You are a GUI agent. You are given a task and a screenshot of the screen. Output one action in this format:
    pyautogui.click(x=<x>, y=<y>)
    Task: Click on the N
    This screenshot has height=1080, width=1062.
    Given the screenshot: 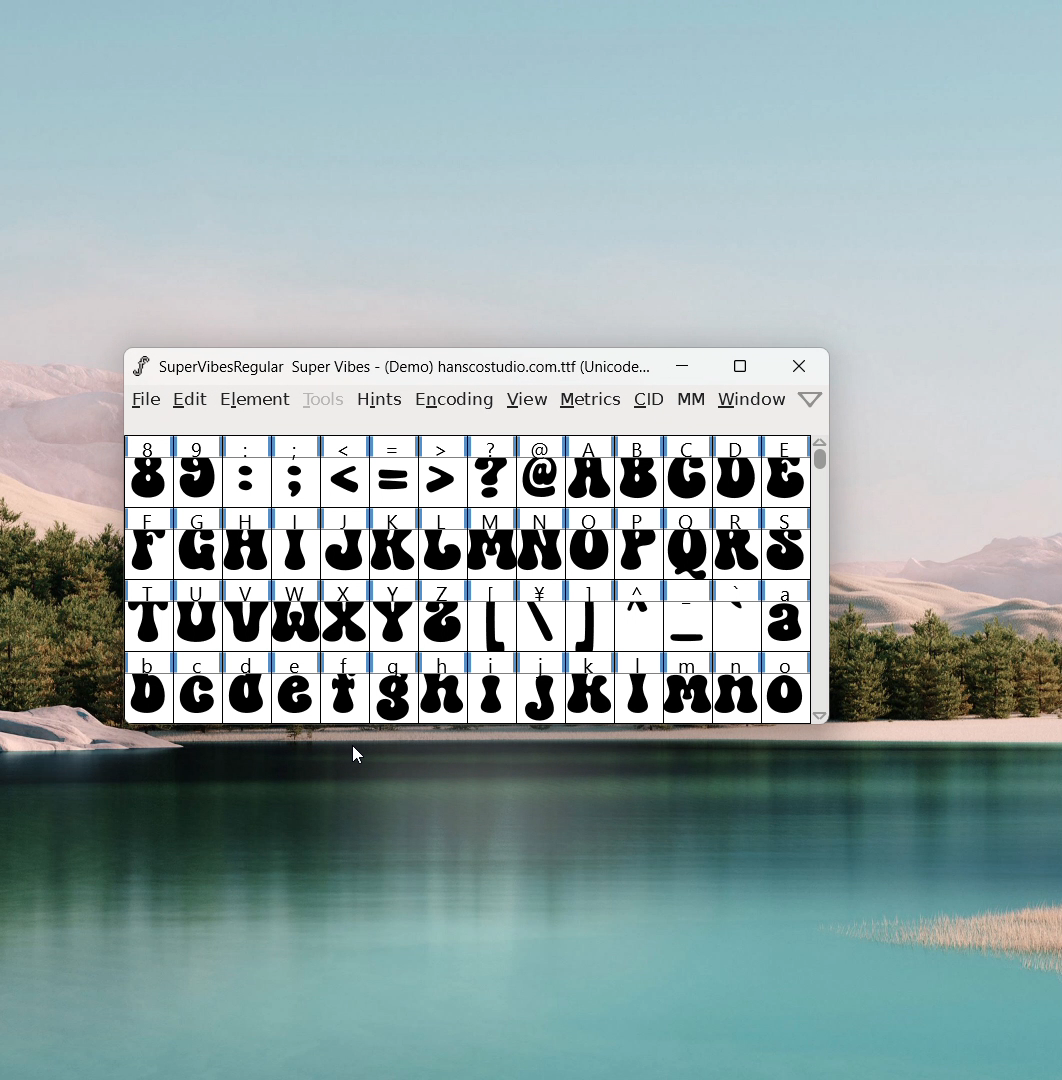 What is the action you would take?
    pyautogui.click(x=541, y=543)
    